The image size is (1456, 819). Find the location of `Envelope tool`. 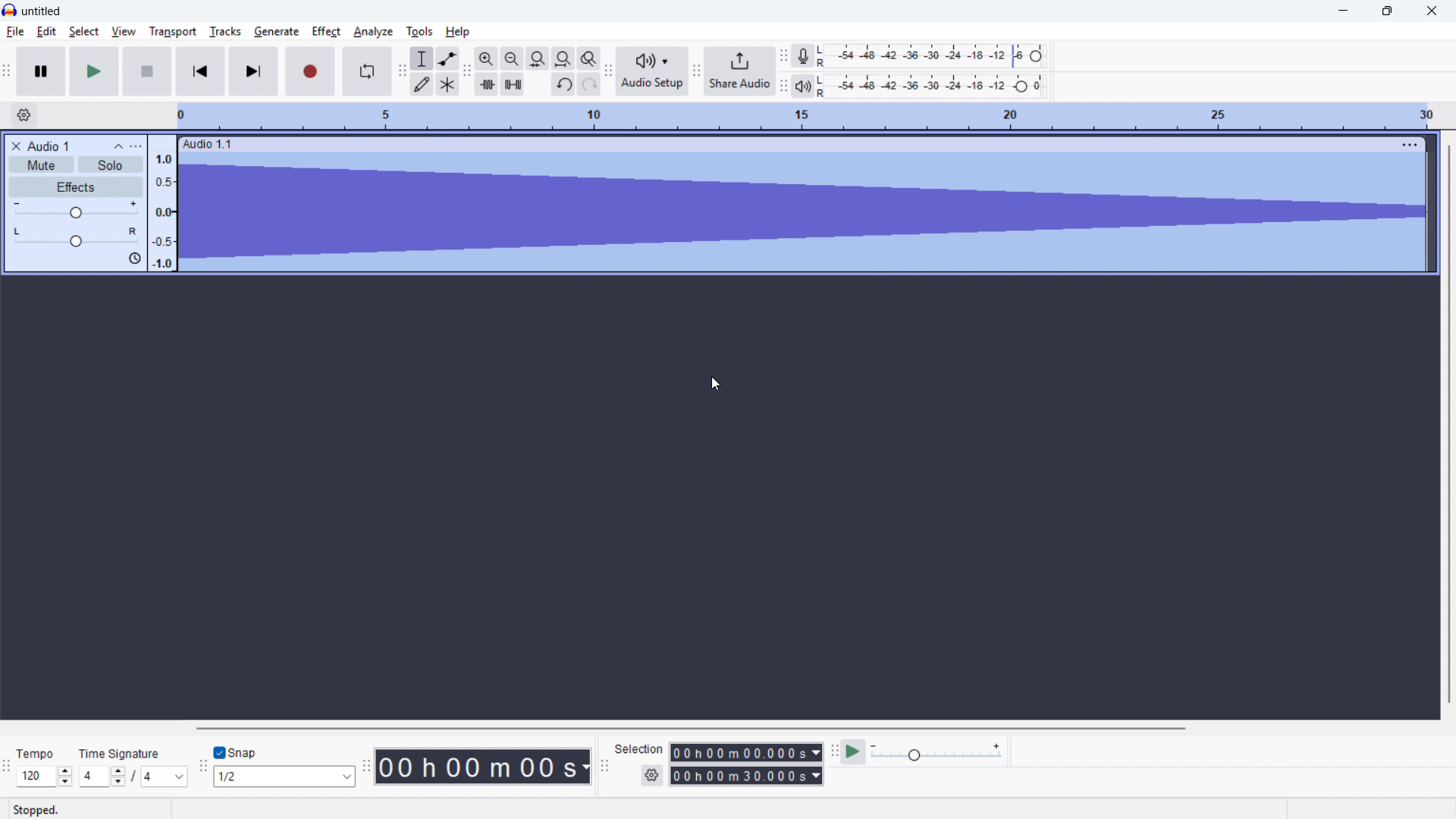

Envelope tool is located at coordinates (448, 58).